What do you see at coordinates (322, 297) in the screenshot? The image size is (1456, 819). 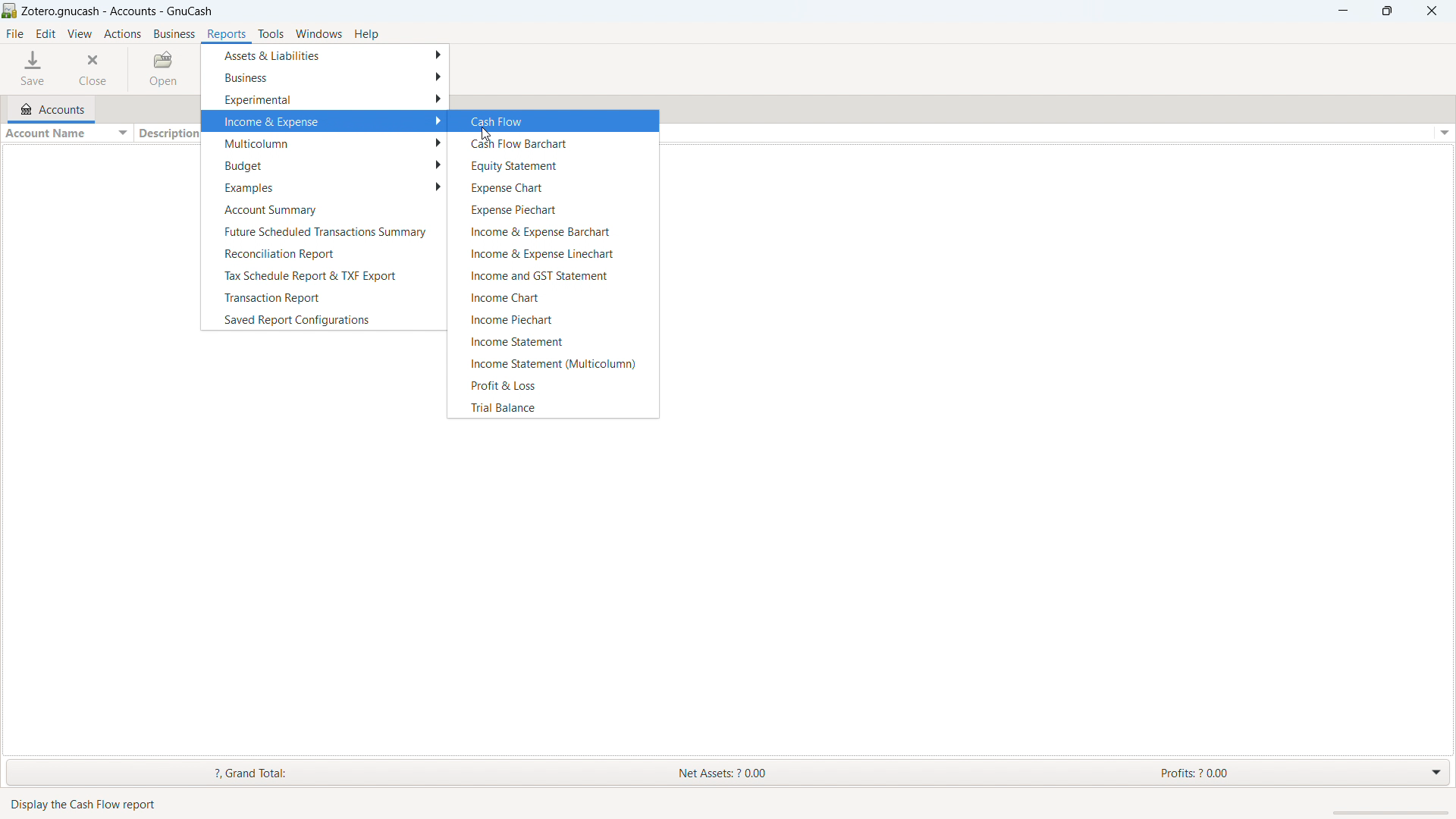 I see `transaction report` at bounding box center [322, 297].